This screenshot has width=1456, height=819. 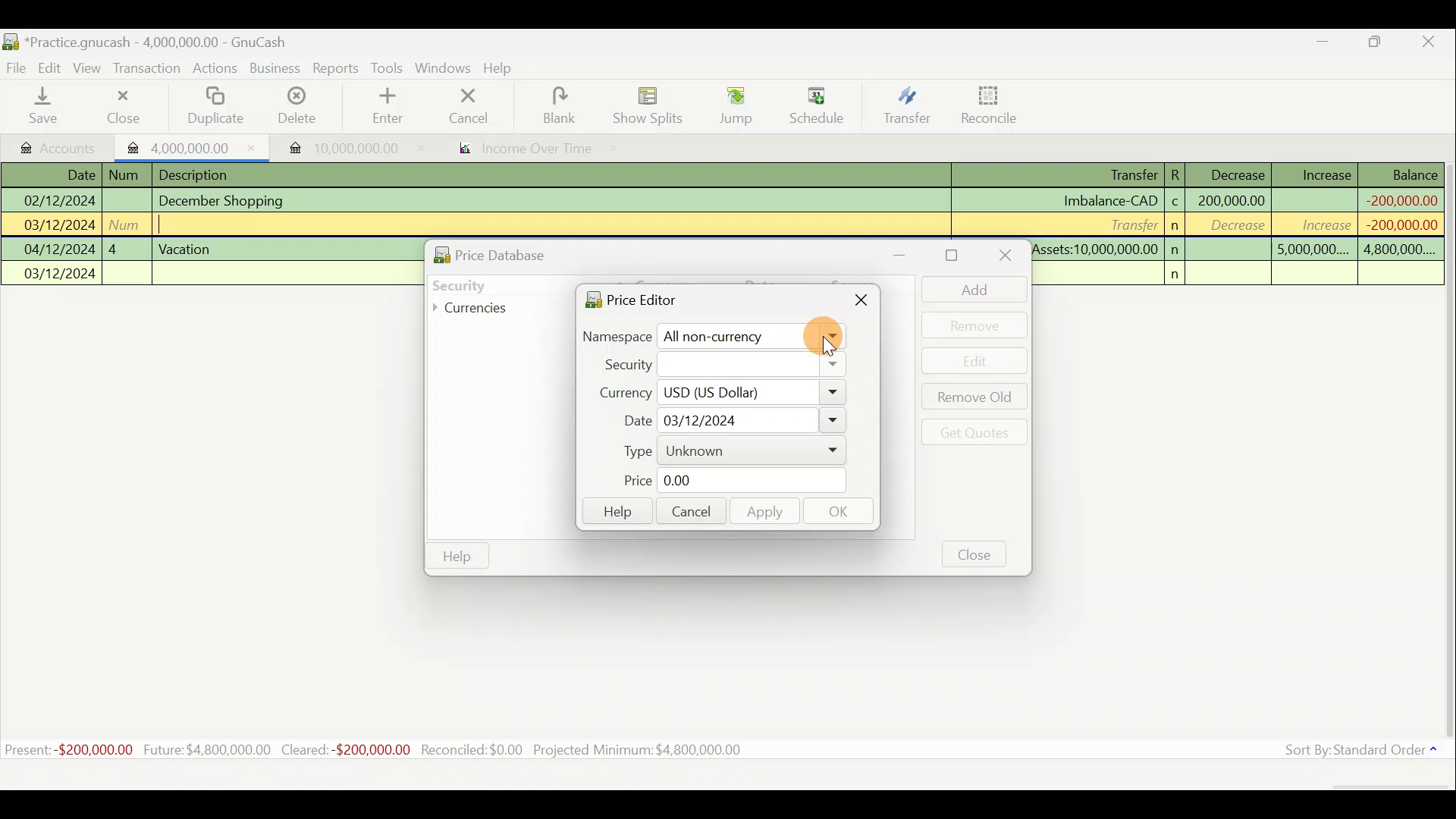 What do you see at coordinates (1317, 224) in the screenshot?
I see `increase` at bounding box center [1317, 224].